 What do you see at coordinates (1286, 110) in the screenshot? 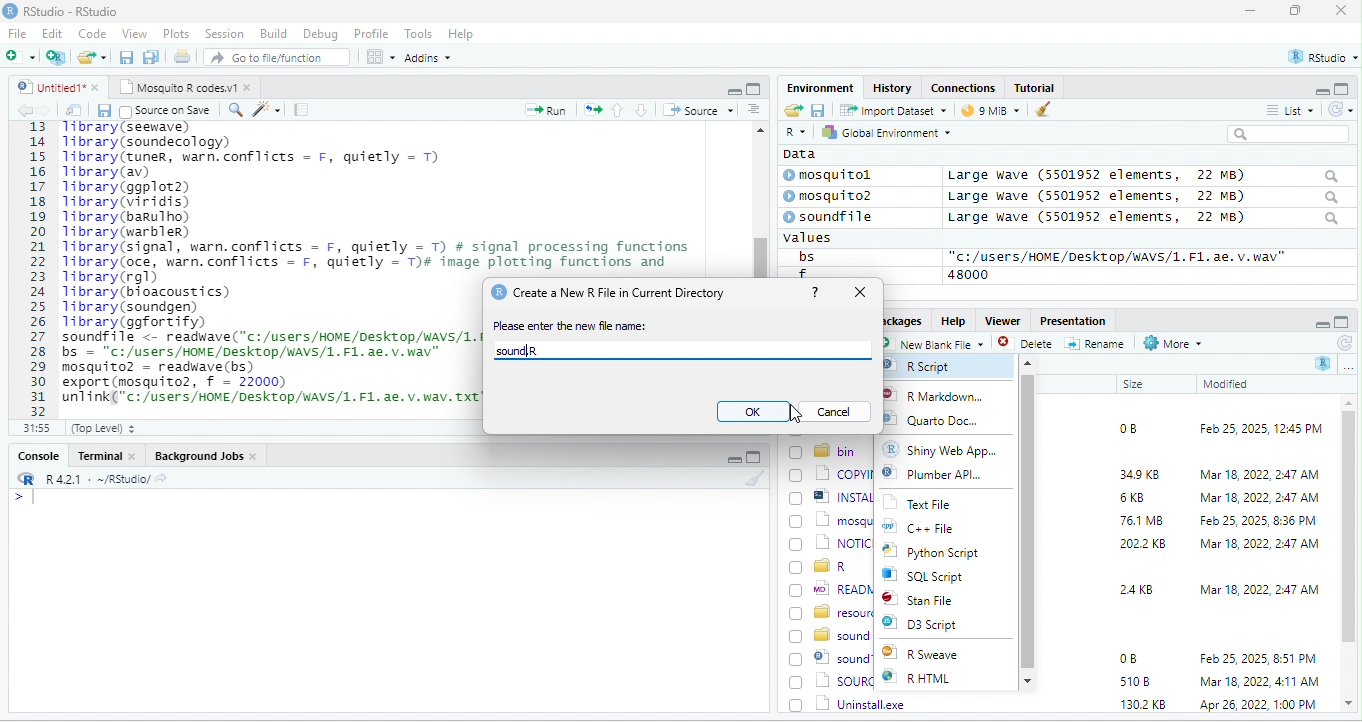
I see `= List ~` at bounding box center [1286, 110].